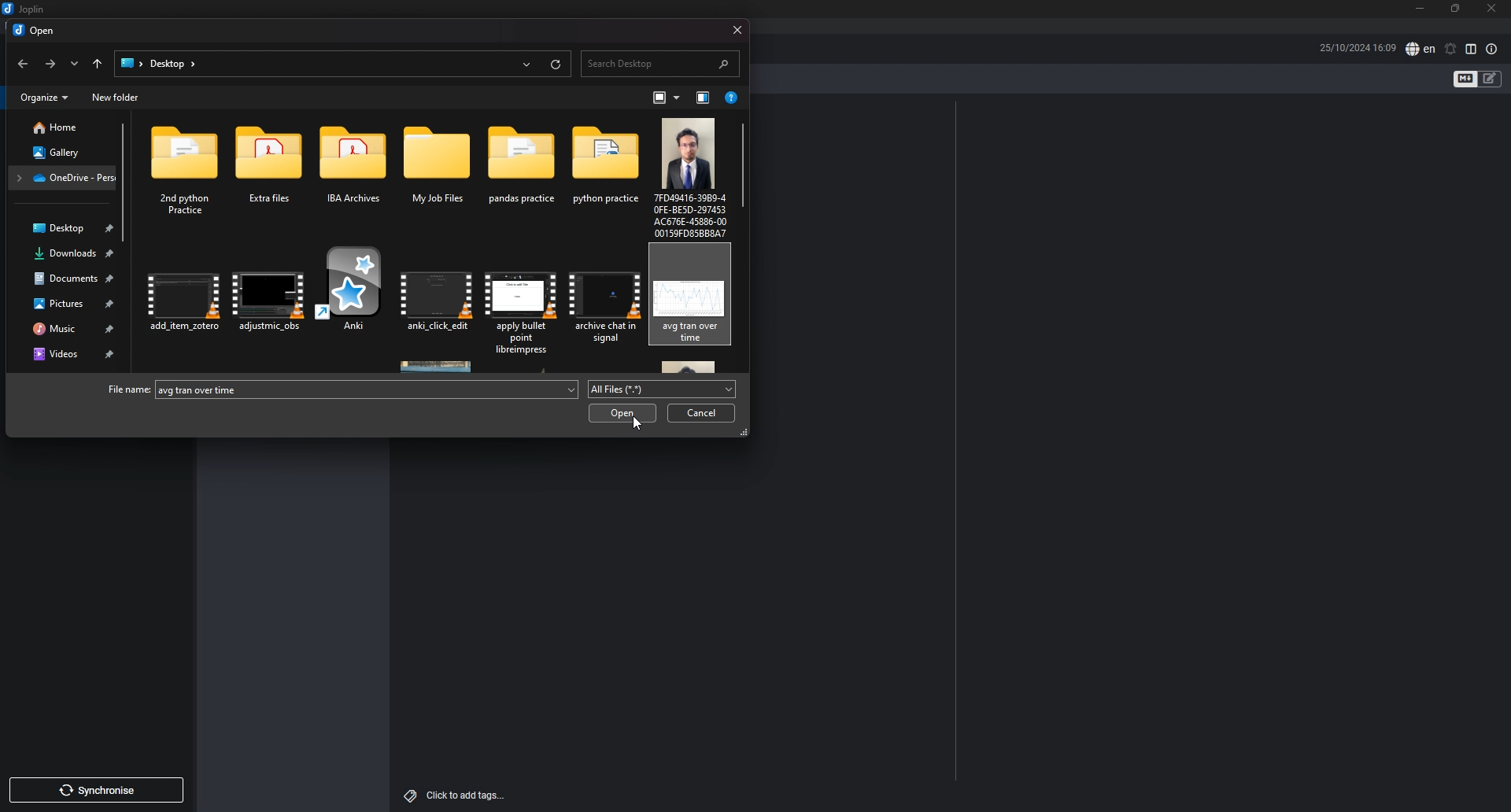  Describe the element at coordinates (68, 352) in the screenshot. I see `videos` at that location.